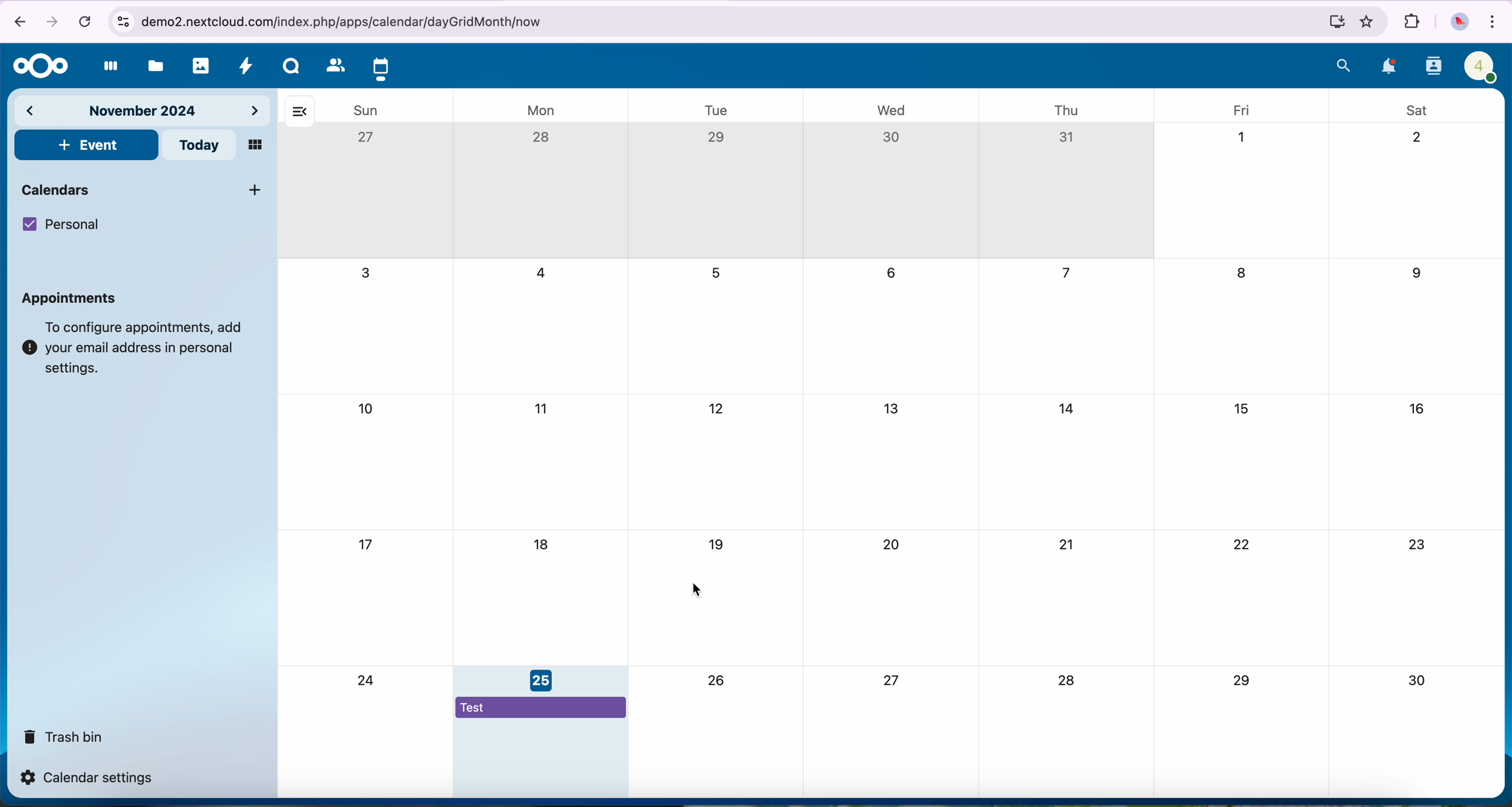 This screenshot has height=807, width=1512. Describe the element at coordinates (1432, 67) in the screenshot. I see `contacts` at that location.